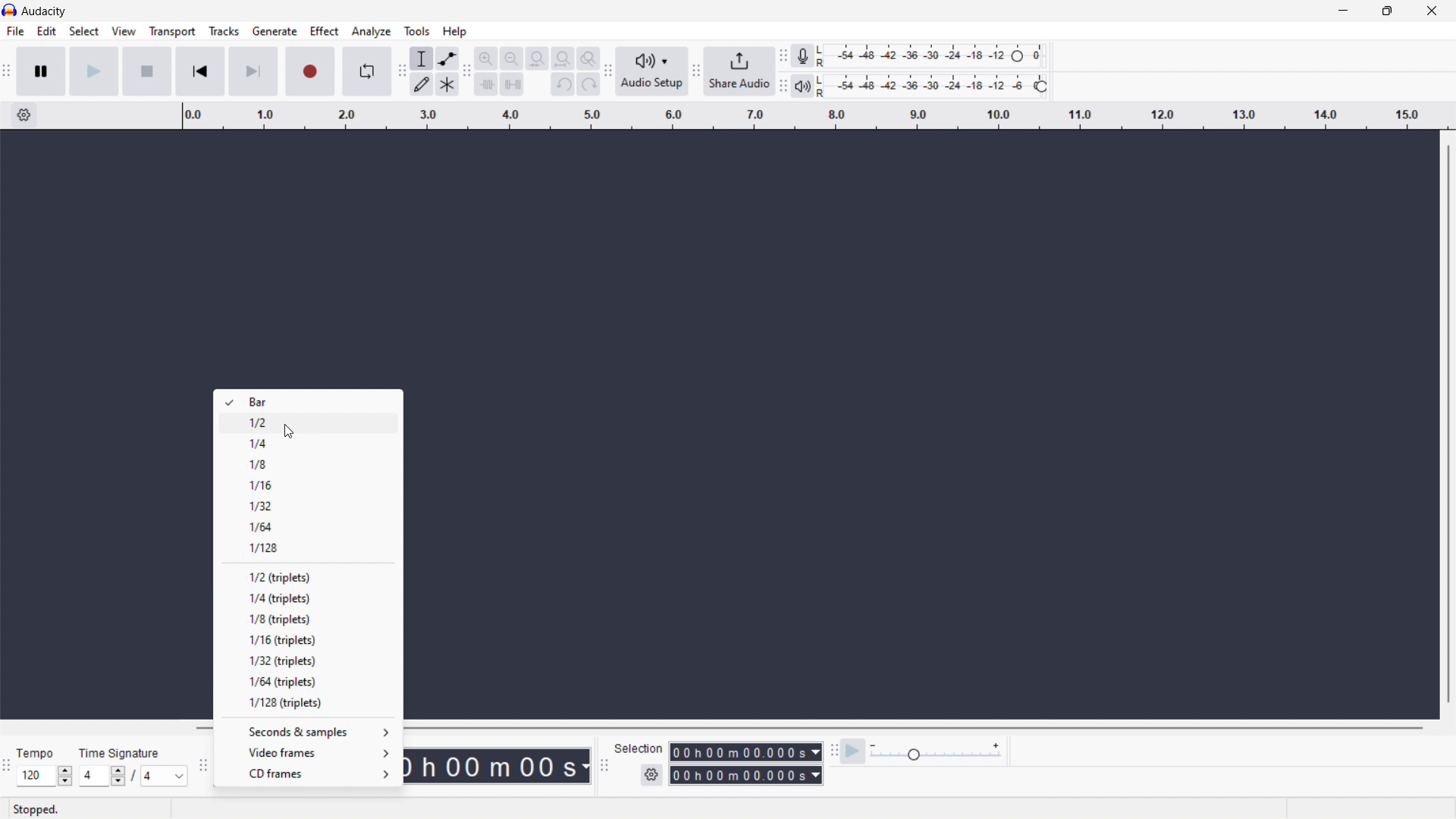 The height and width of the screenshot is (819, 1456). Describe the element at coordinates (934, 86) in the screenshot. I see `playback meter` at that location.